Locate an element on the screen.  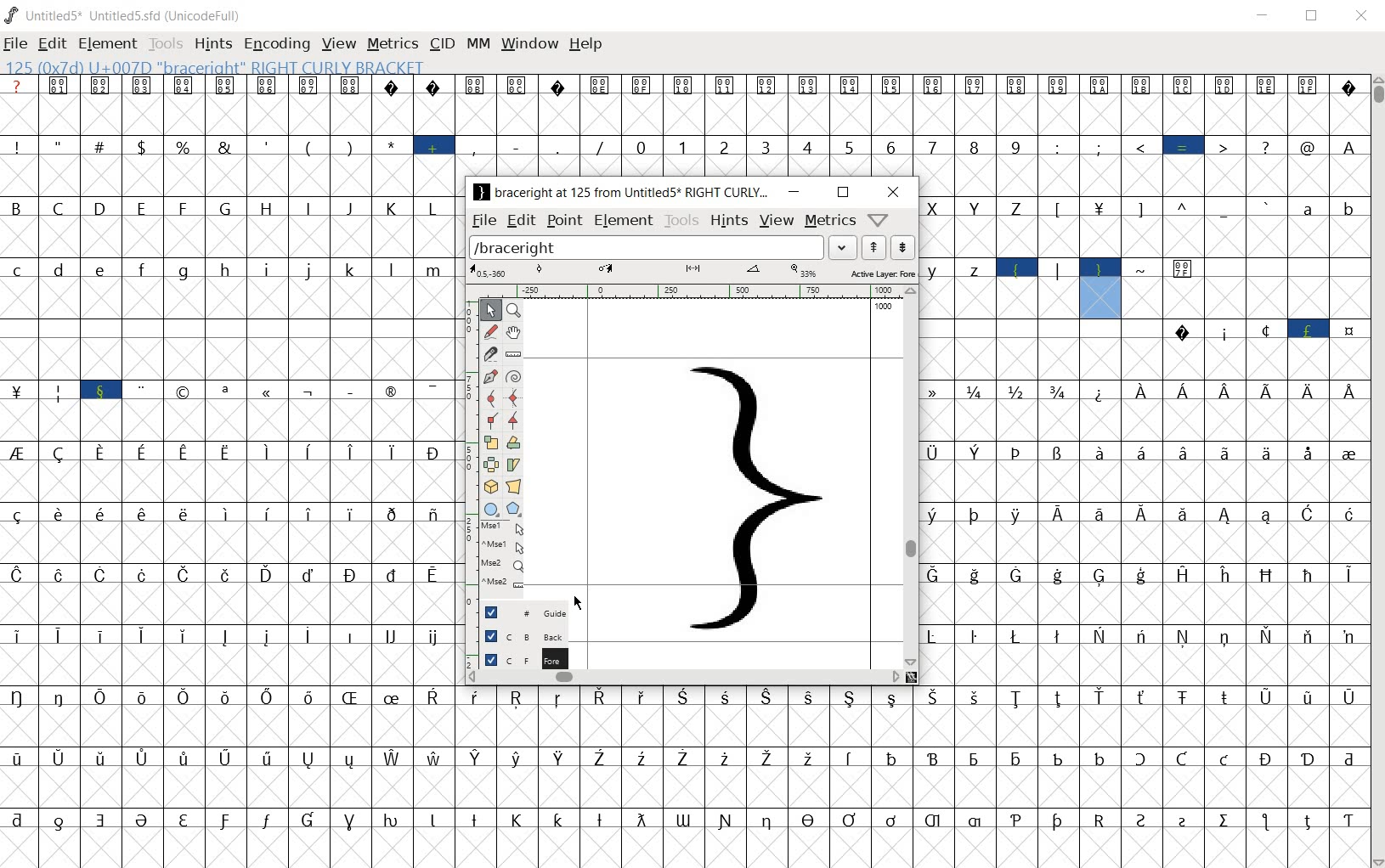
element is located at coordinates (623, 222).